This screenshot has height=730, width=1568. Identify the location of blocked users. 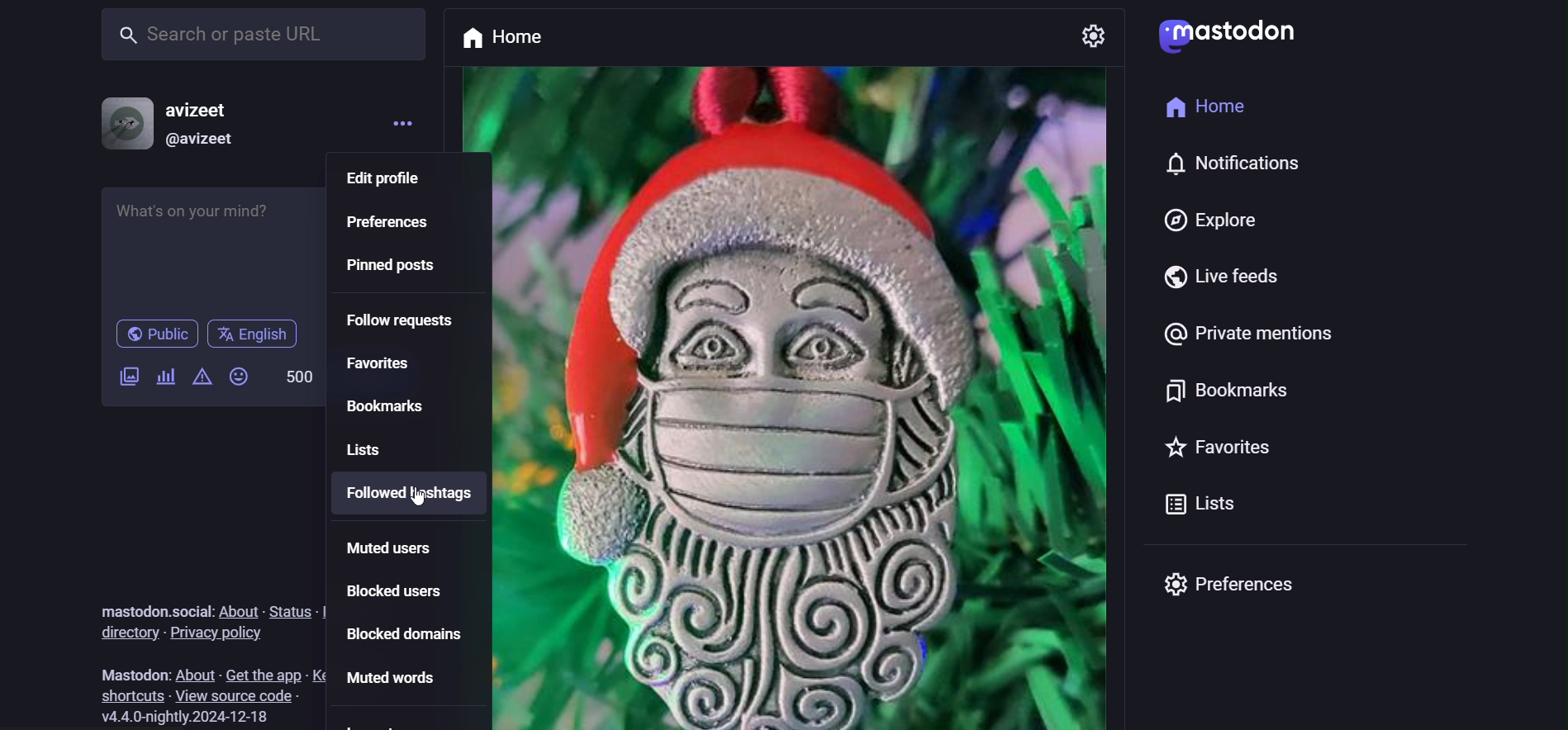
(405, 594).